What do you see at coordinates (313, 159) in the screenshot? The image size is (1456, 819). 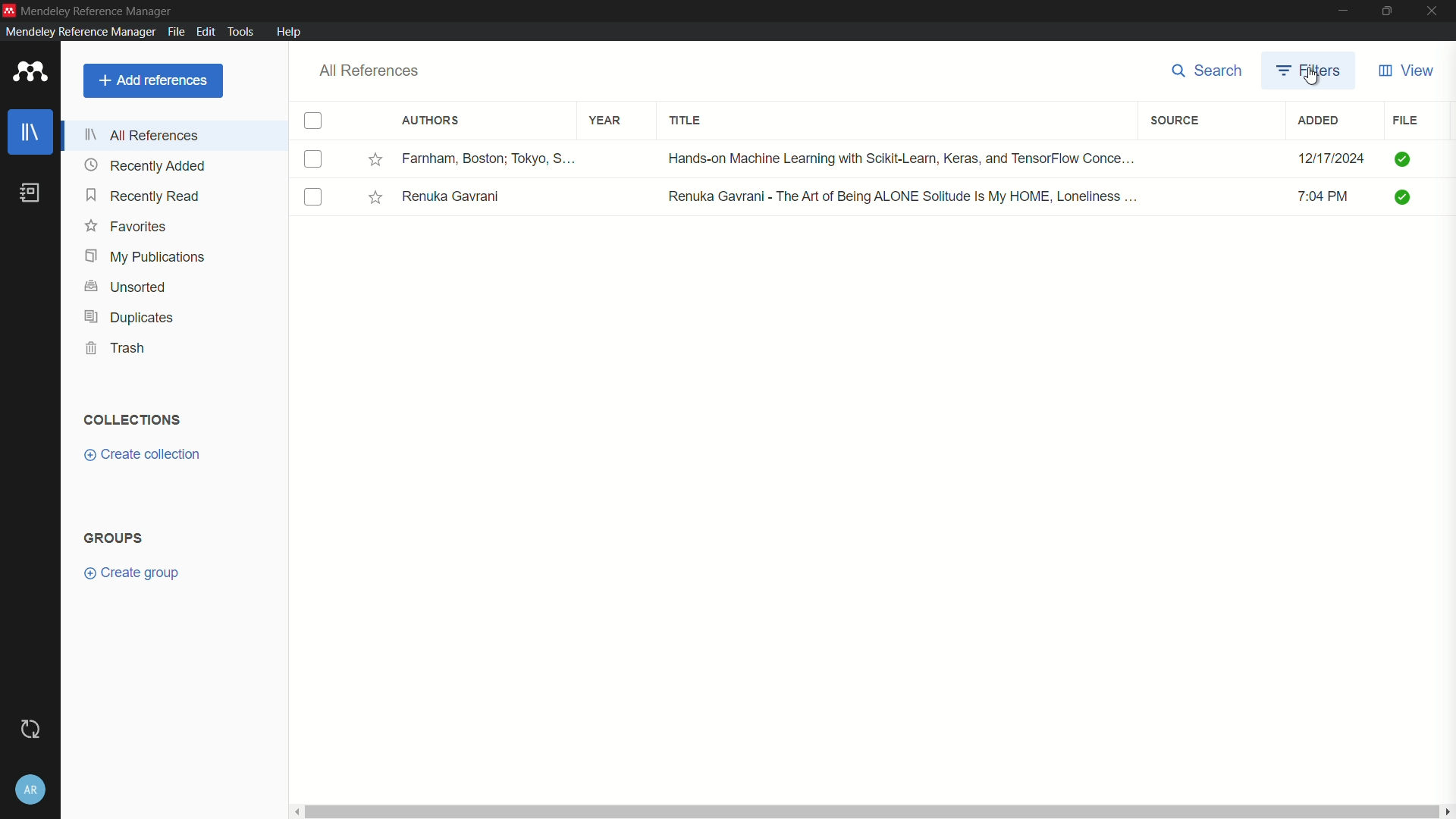 I see `check box` at bounding box center [313, 159].